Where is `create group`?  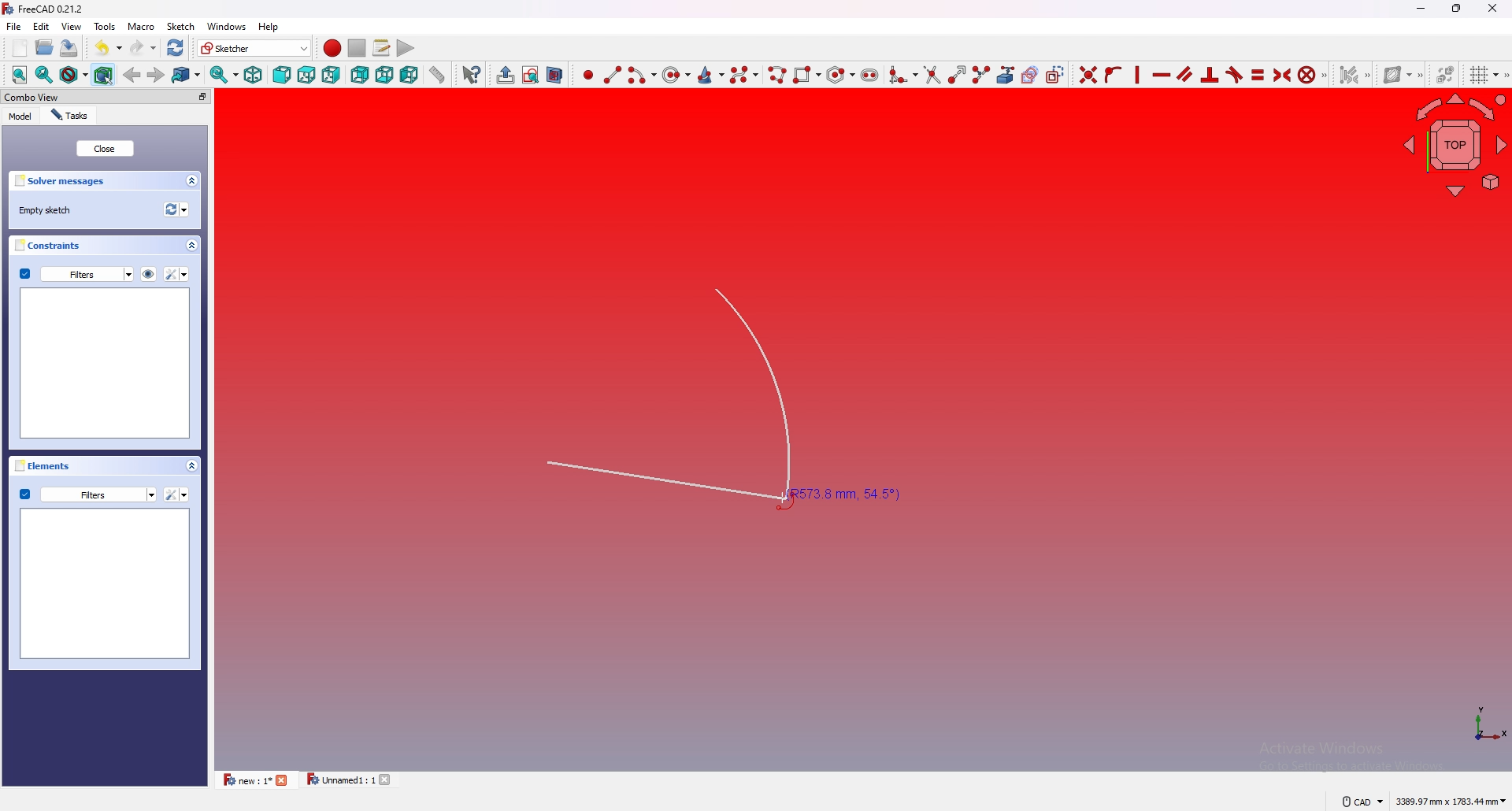 create group is located at coordinates (506, 75).